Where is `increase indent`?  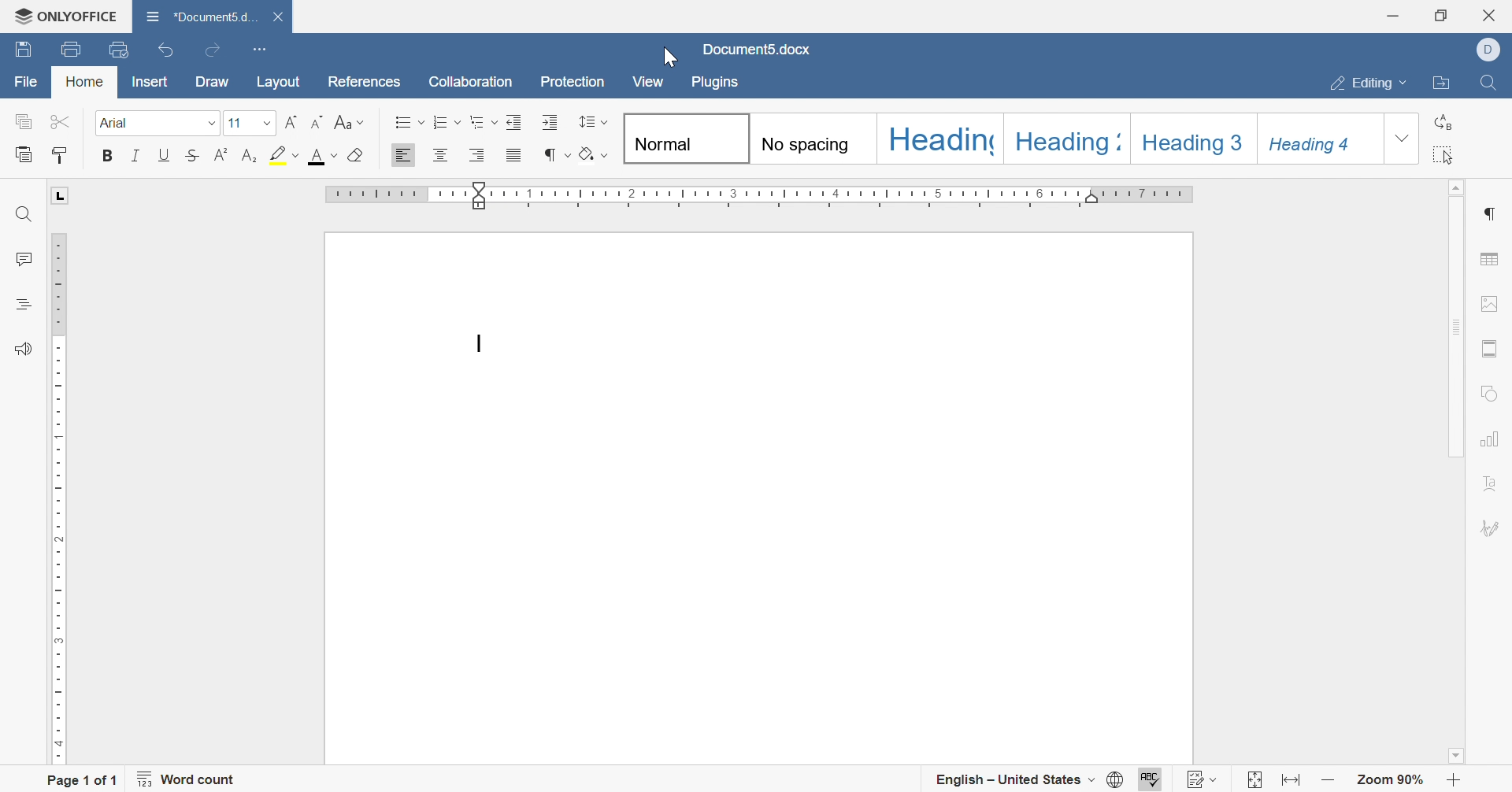 increase indent is located at coordinates (548, 121).